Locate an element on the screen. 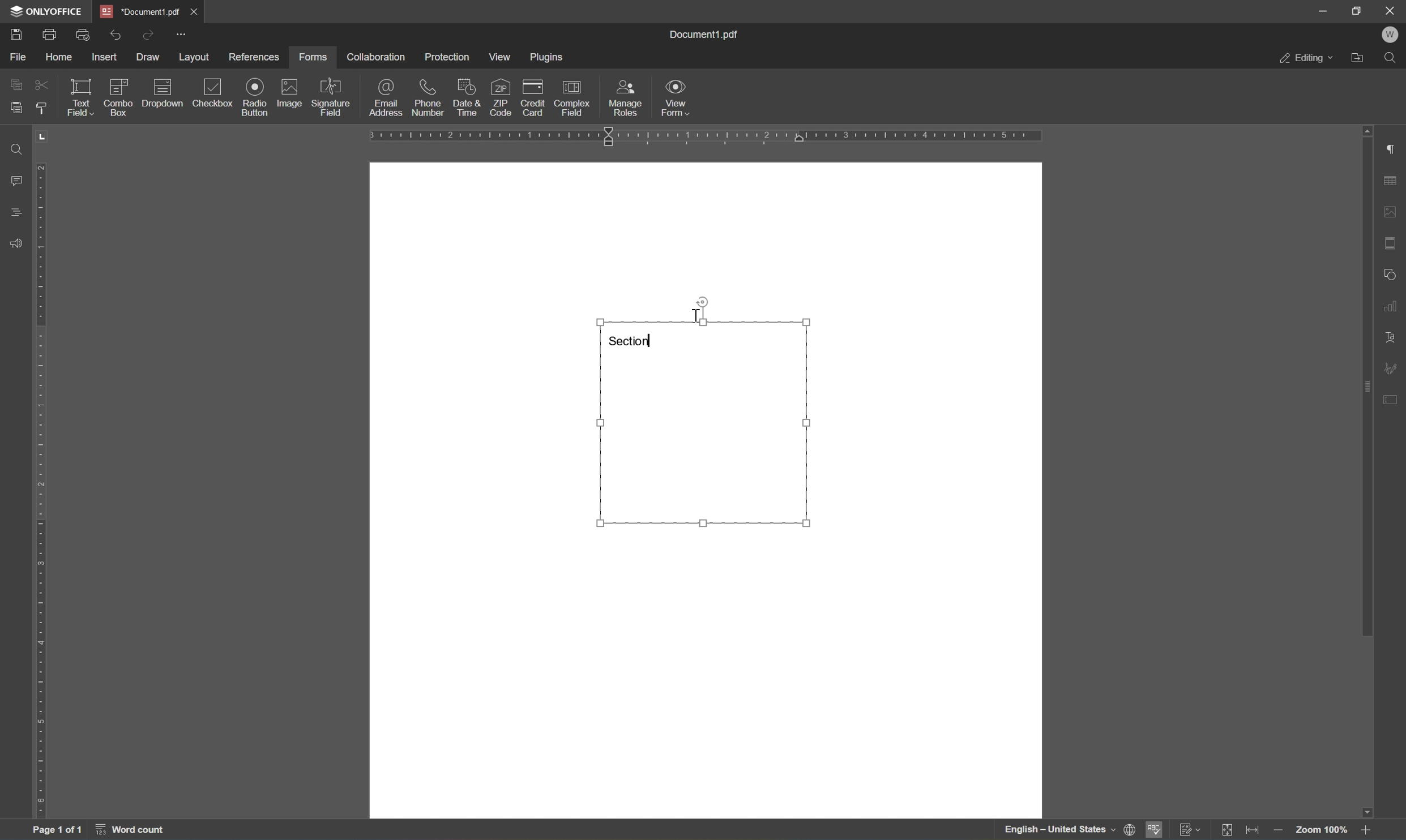 This screenshot has width=1406, height=840. Cursor is located at coordinates (695, 313).